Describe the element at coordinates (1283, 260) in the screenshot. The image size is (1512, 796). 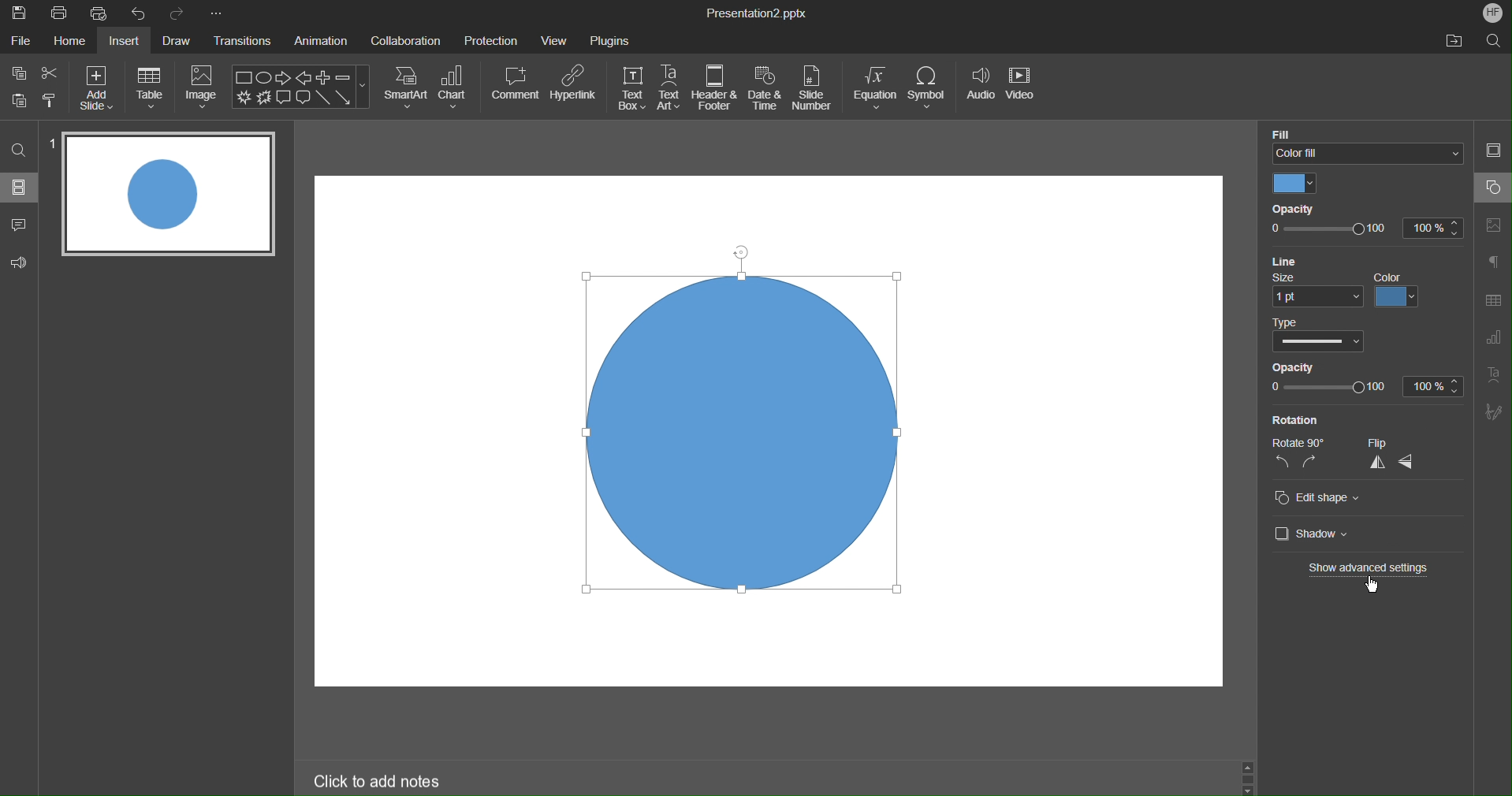
I see `Line` at that location.